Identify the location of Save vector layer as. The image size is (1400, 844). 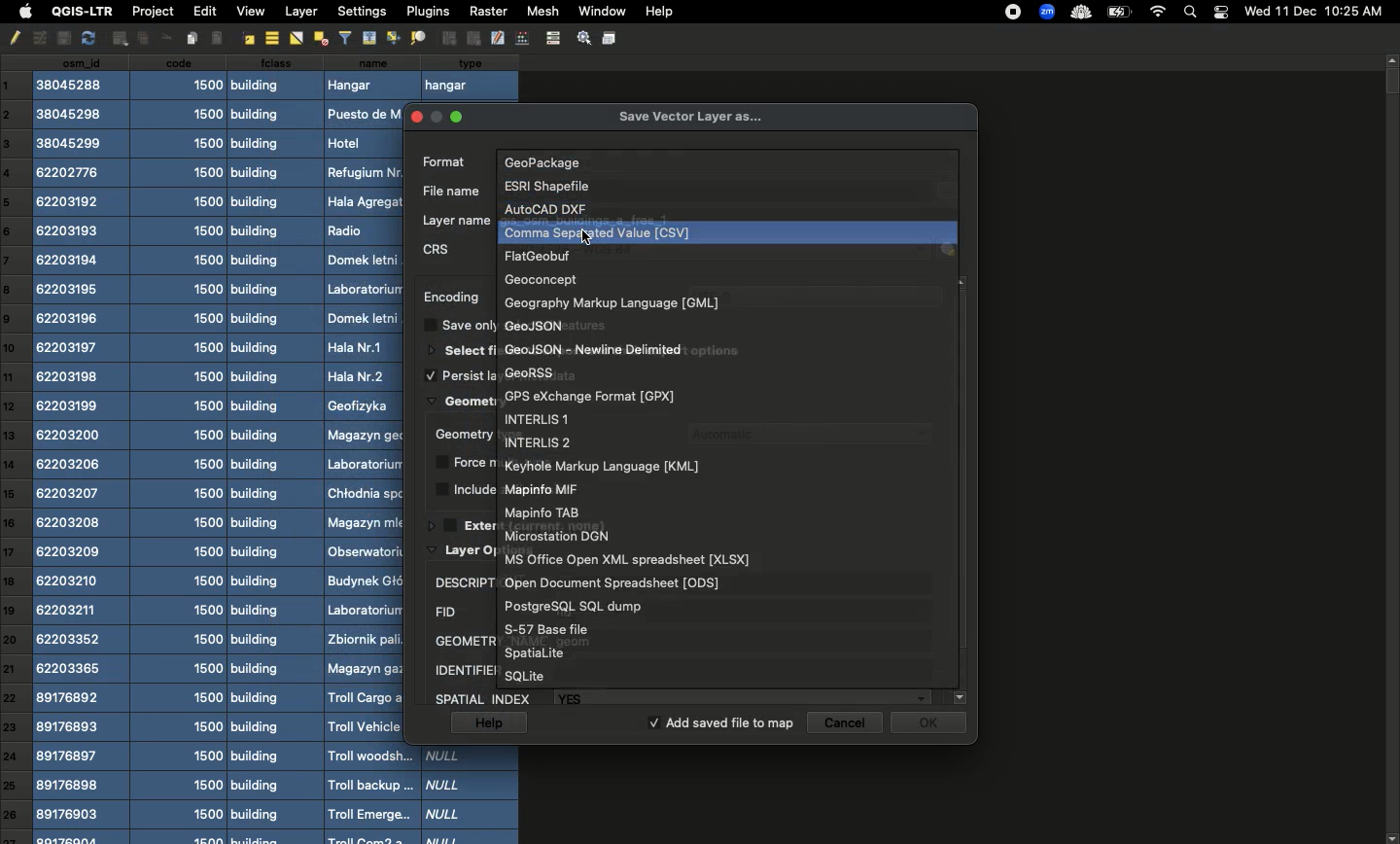
(693, 117).